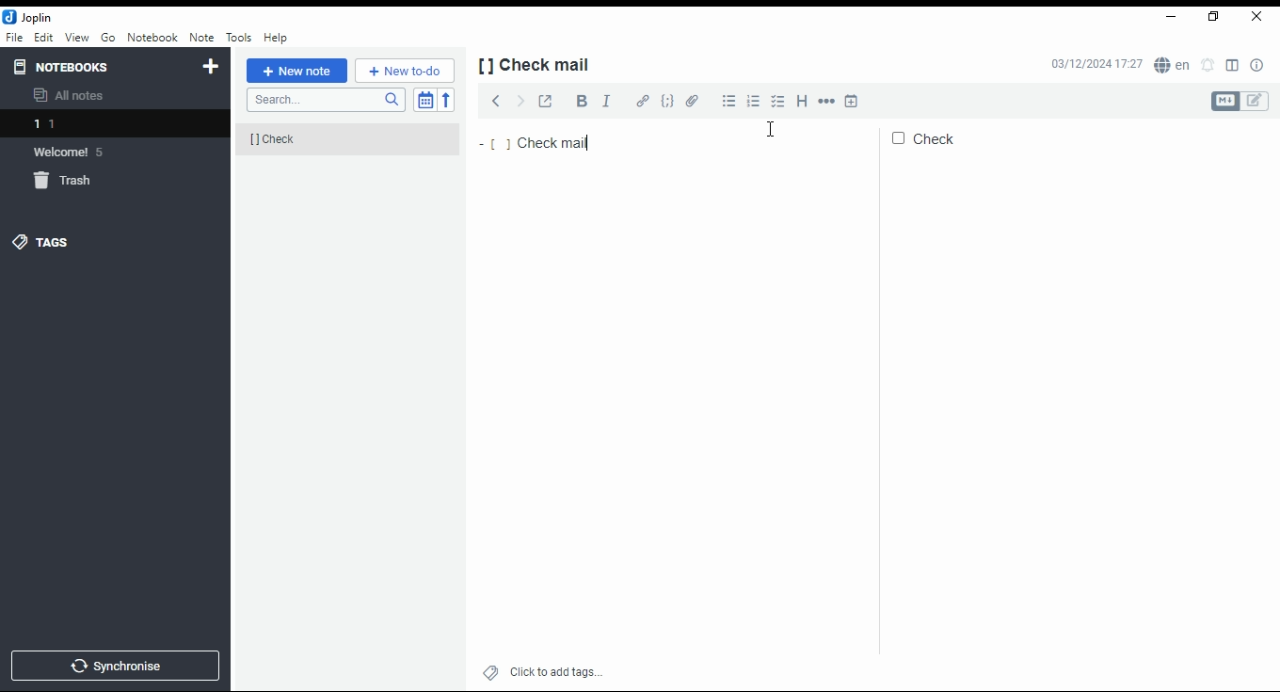 This screenshot has height=692, width=1280. What do you see at coordinates (201, 38) in the screenshot?
I see `note` at bounding box center [201, 38].